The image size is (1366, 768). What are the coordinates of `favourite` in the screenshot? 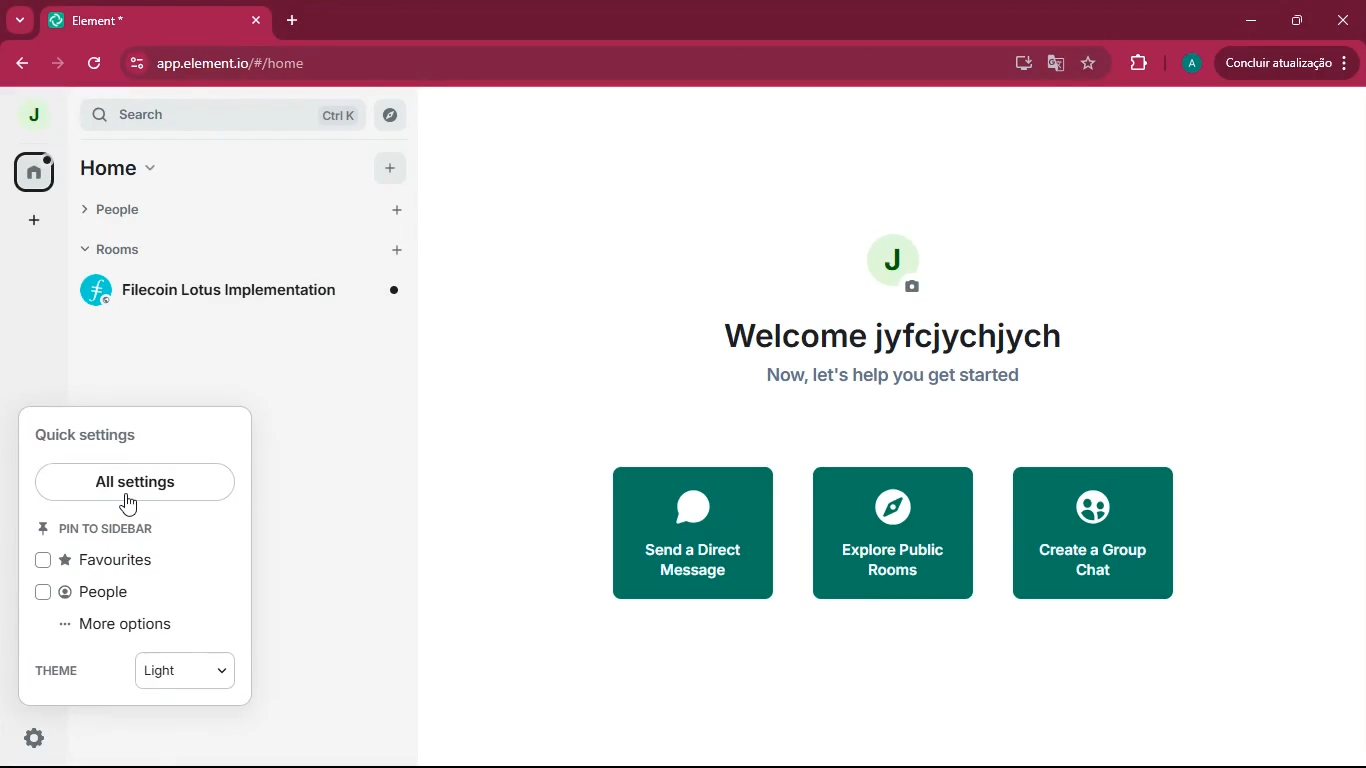 It's located at (1087, 65).